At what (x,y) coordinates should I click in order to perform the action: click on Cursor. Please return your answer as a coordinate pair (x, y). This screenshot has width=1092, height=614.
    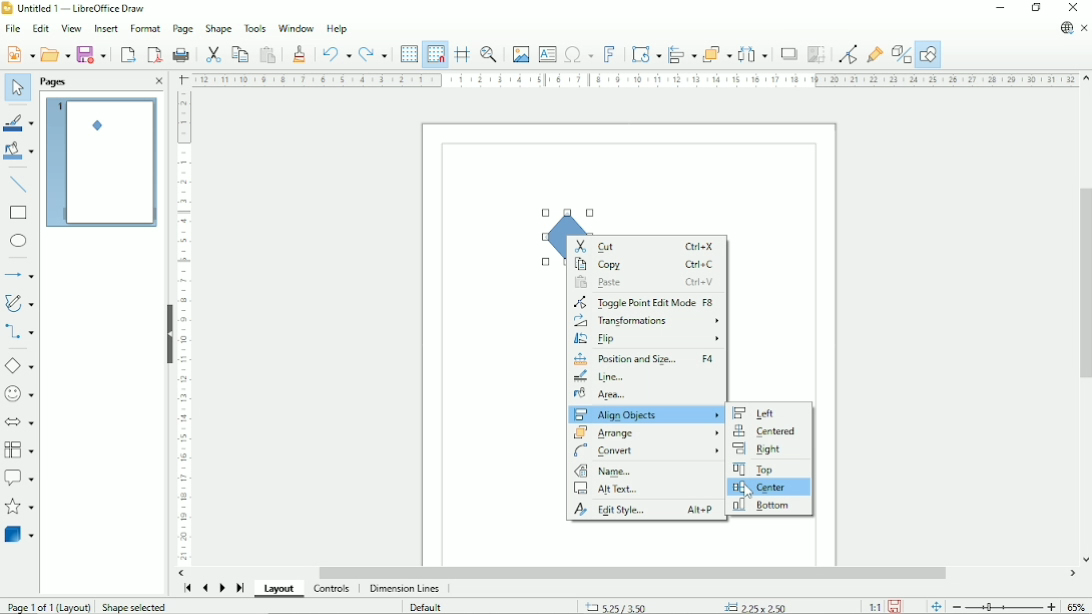
    Looking at the image, I should click on (747, 491).